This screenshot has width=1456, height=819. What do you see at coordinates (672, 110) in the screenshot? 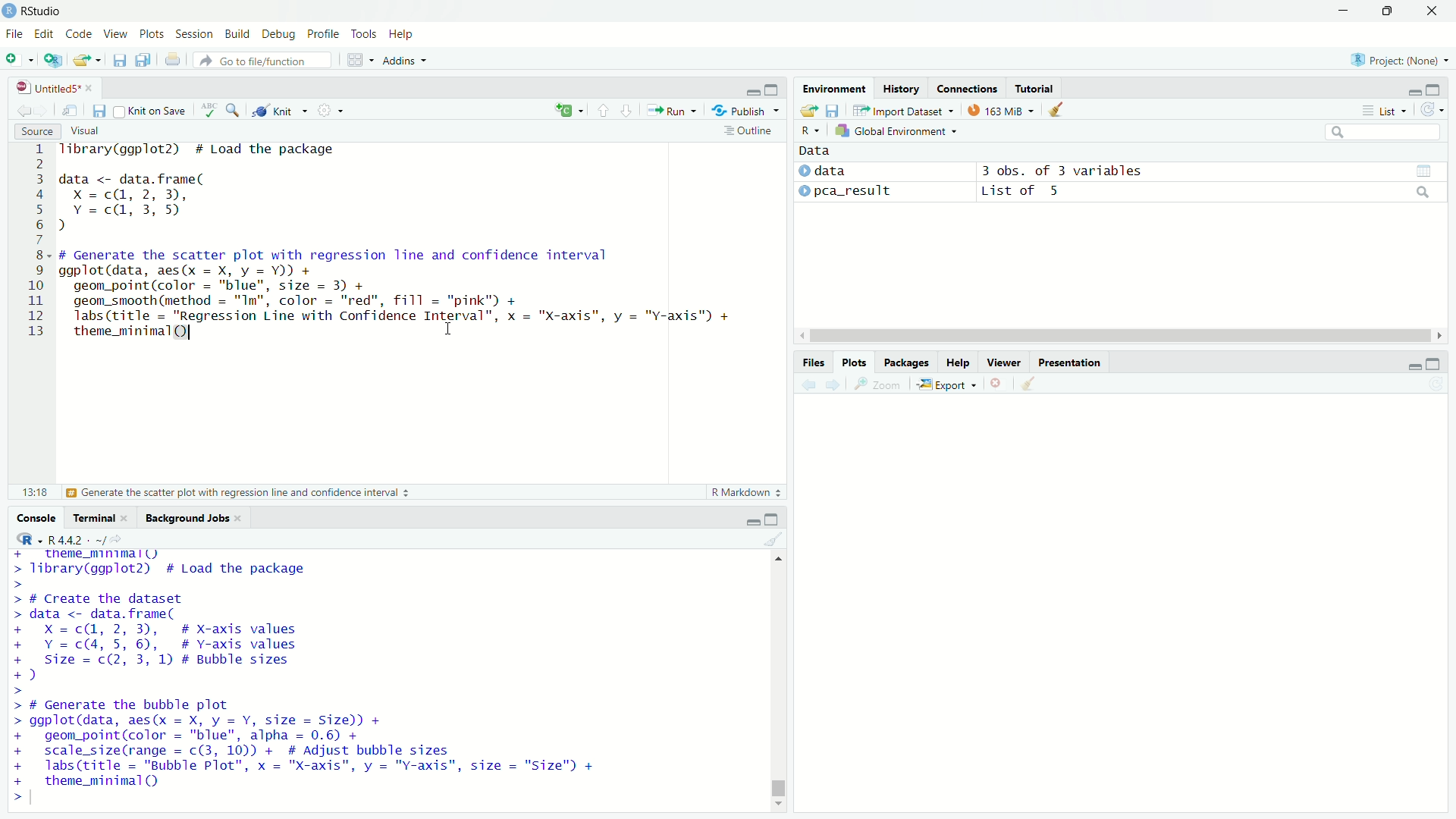
I see `Run` at bounding box center [672, 110].